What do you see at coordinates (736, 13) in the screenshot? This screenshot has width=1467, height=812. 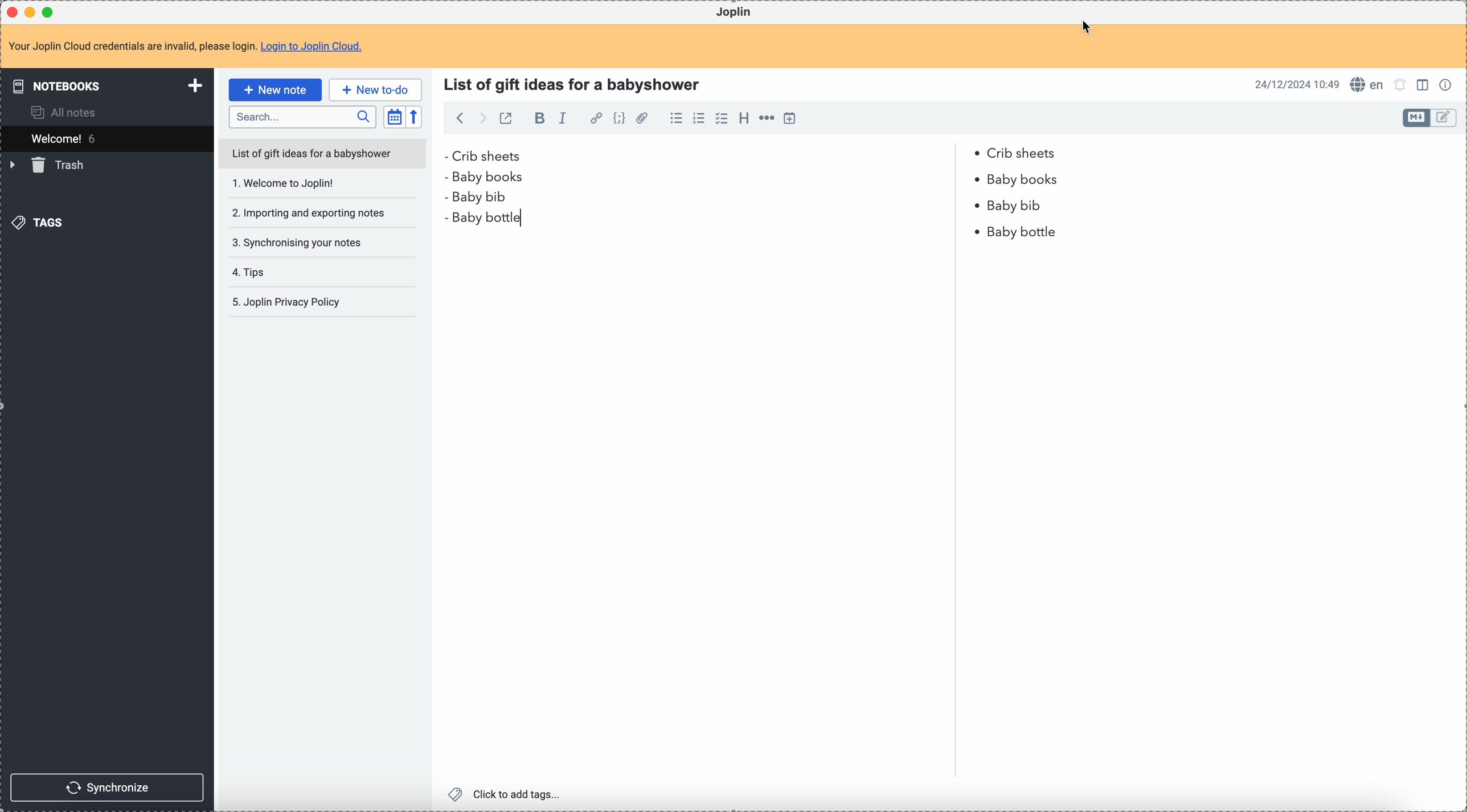 I see `Joplin` at bounding box center [736, 13].